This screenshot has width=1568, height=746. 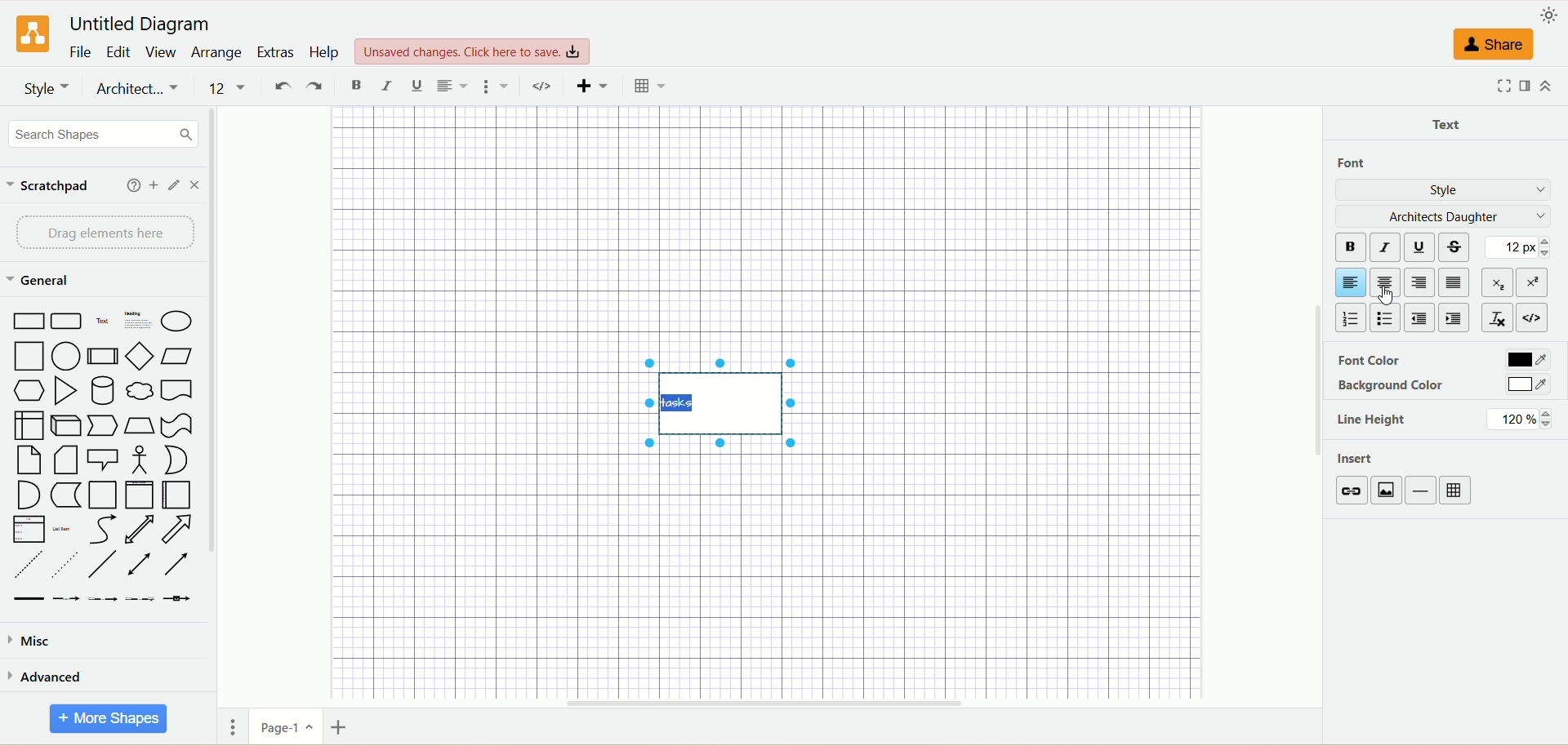 I want to click on Text, so click(x=103, y=321).